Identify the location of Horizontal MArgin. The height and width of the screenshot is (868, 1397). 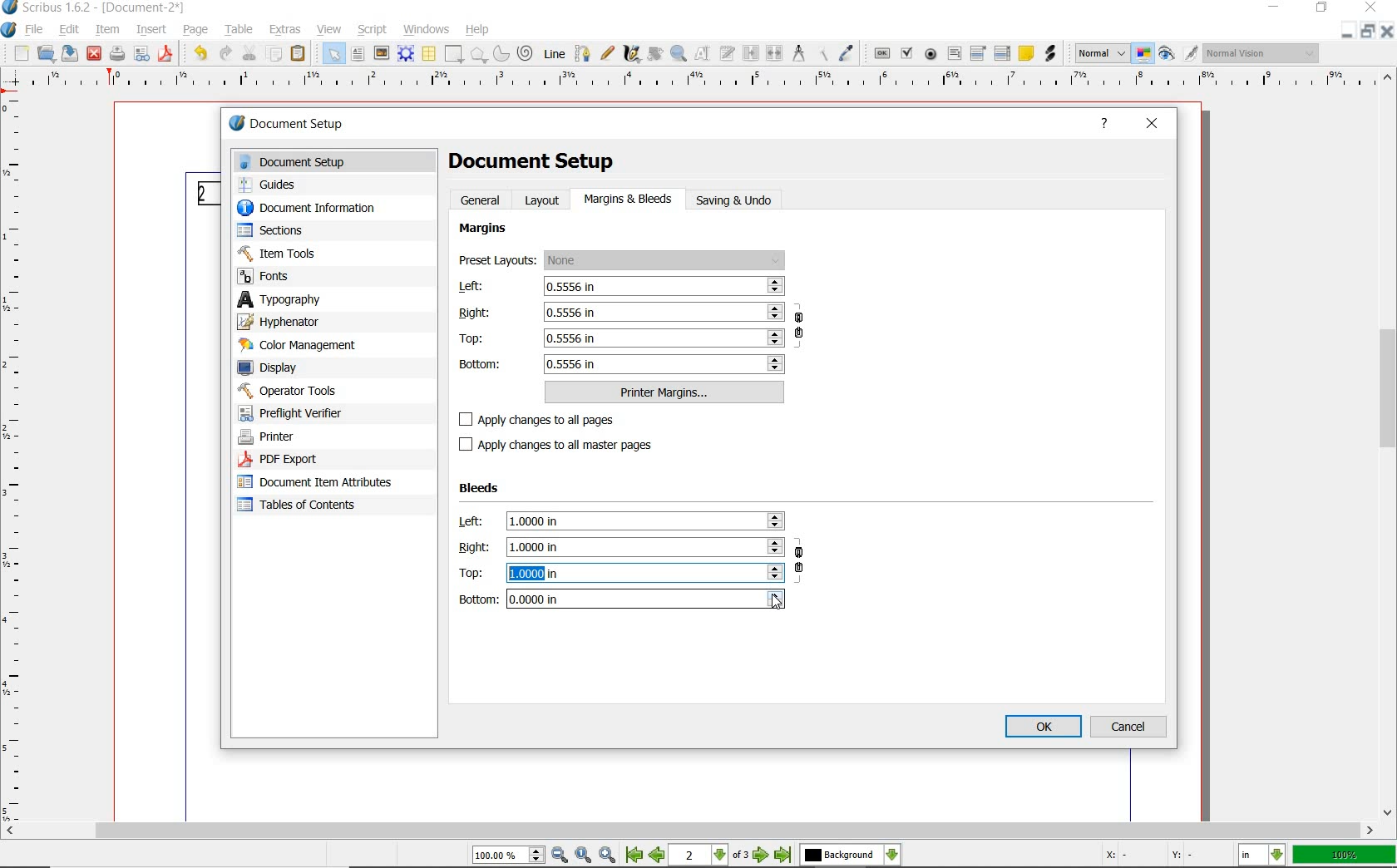
(693, 82).